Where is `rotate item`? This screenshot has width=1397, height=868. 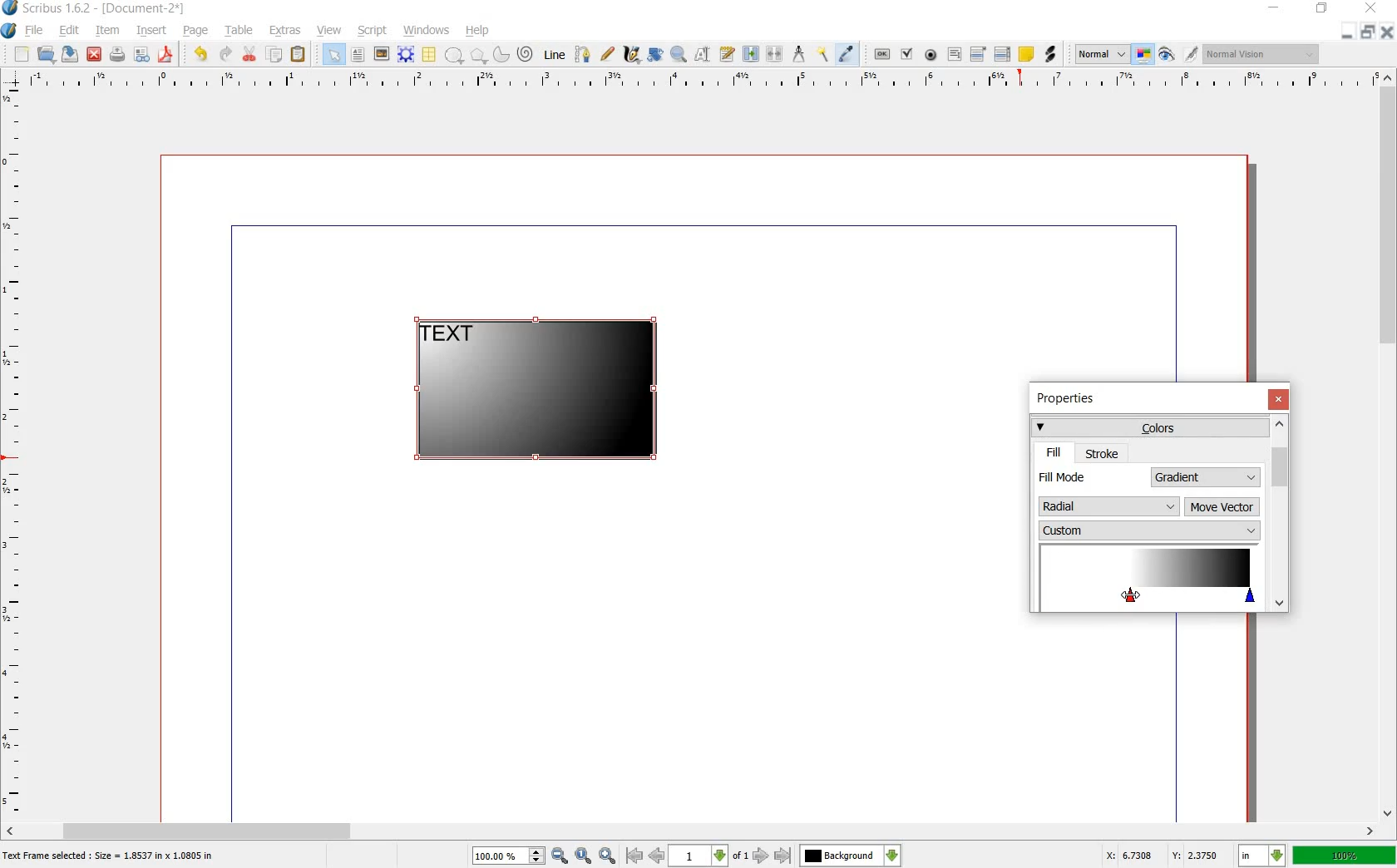
rotate item is located at coordinates (656, 55).